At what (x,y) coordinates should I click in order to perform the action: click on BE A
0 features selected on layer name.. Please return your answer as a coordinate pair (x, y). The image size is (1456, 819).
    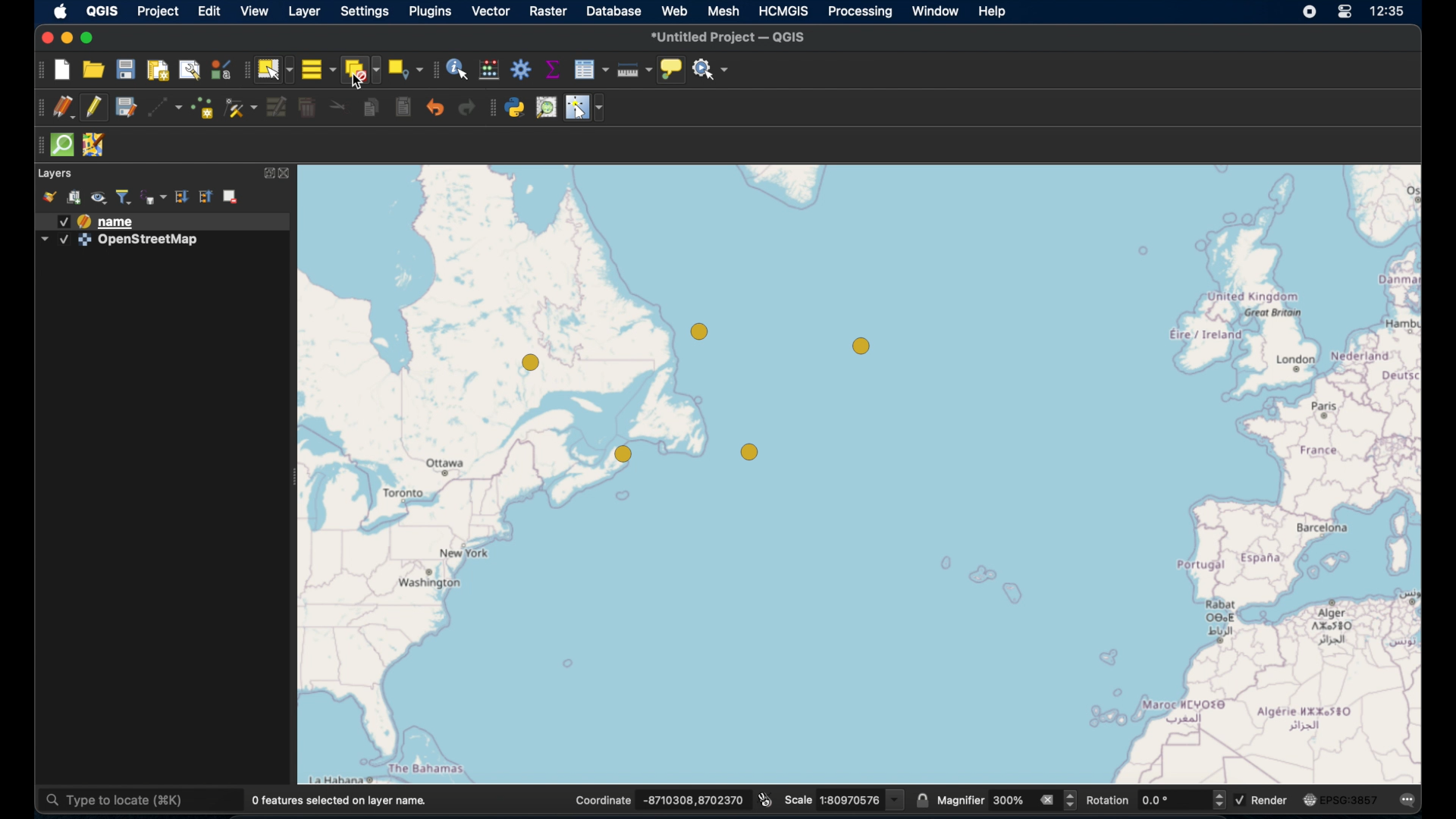
    Looking at the image, I should click on (340, 800).